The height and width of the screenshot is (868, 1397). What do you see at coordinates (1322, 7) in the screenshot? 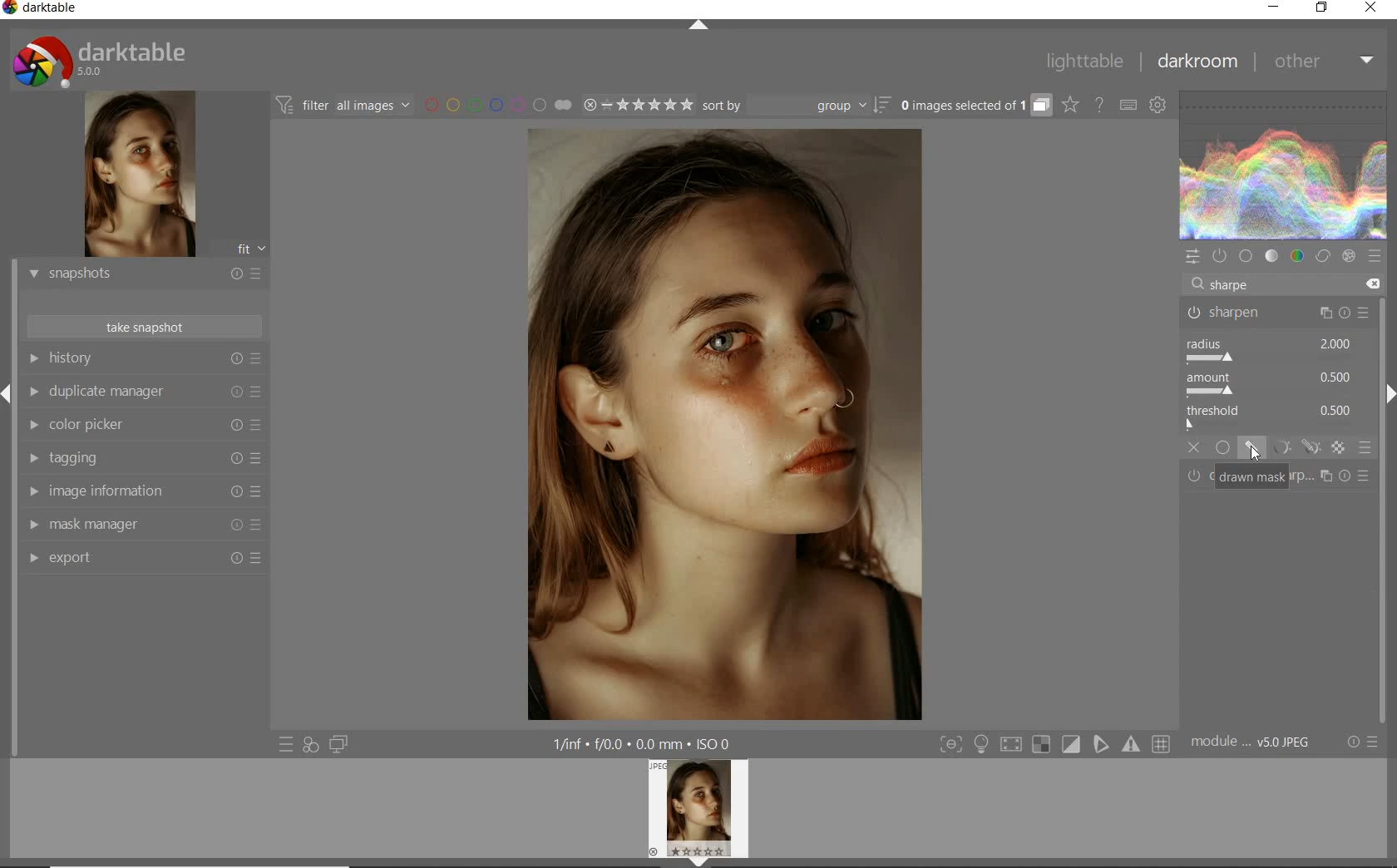
I see `restore` at bounding box center [1322, 7].